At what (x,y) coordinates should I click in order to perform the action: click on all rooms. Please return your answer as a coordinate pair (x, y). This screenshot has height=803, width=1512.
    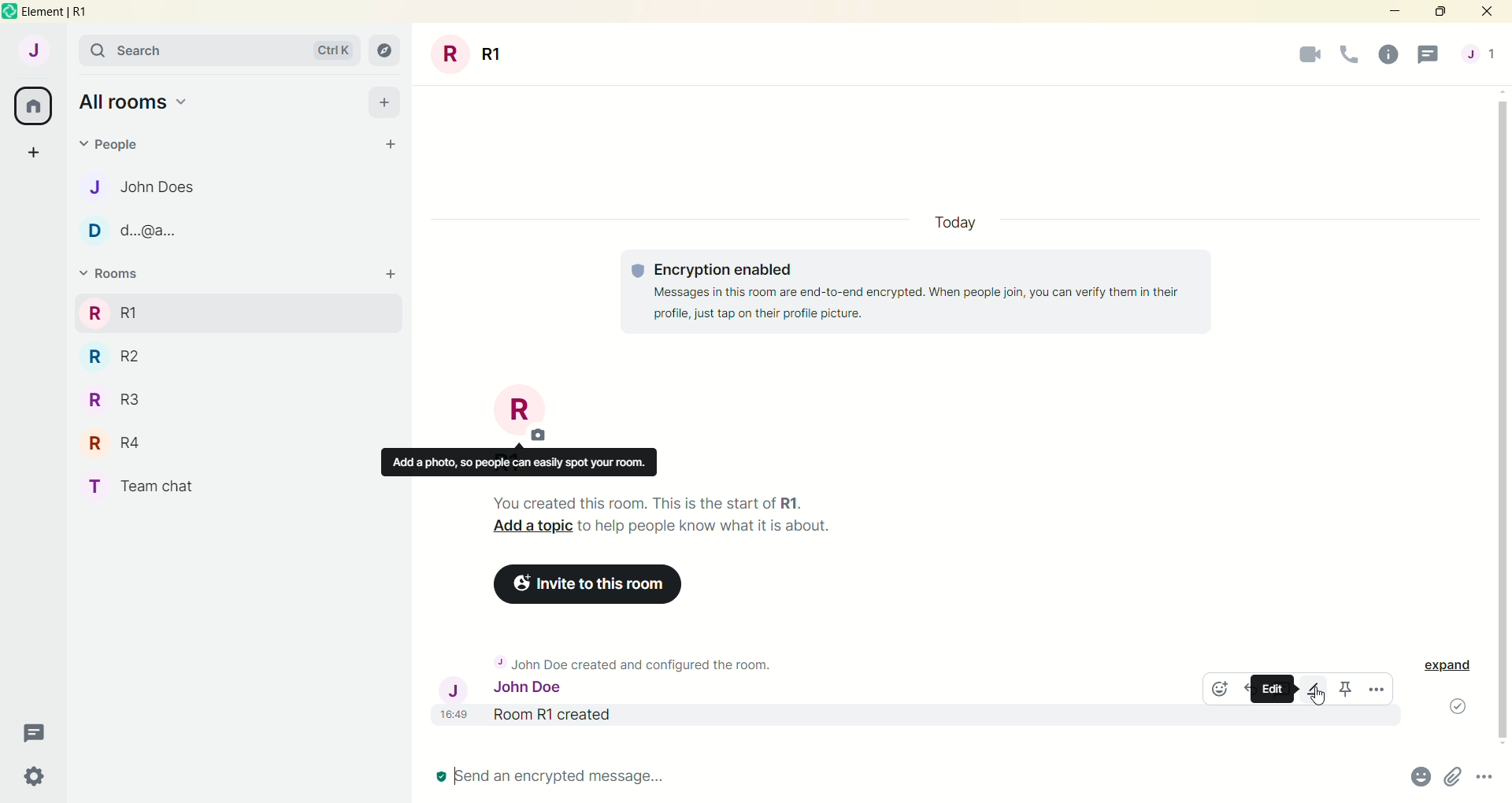
    Looking at the image, I should click on (143, 102).